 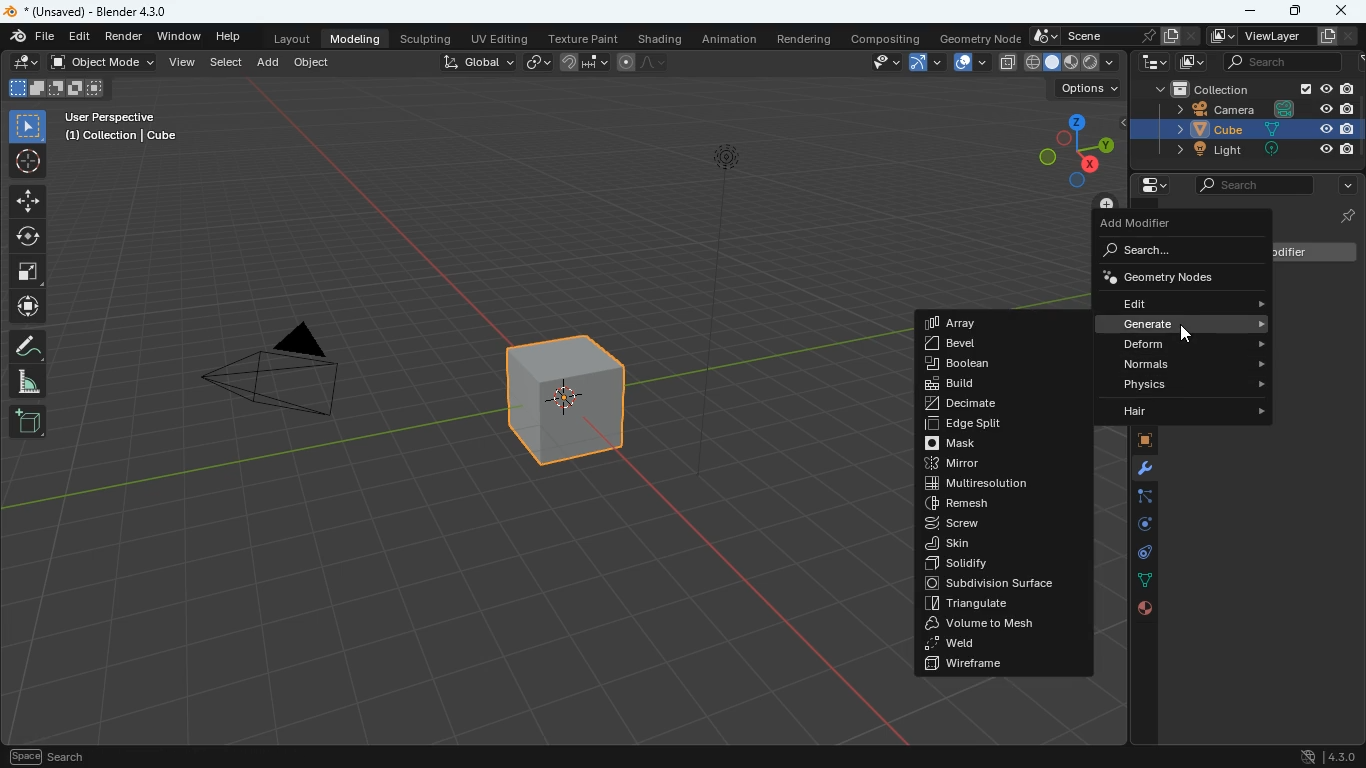 I want to click on cube, so click(x=1135, y=441).